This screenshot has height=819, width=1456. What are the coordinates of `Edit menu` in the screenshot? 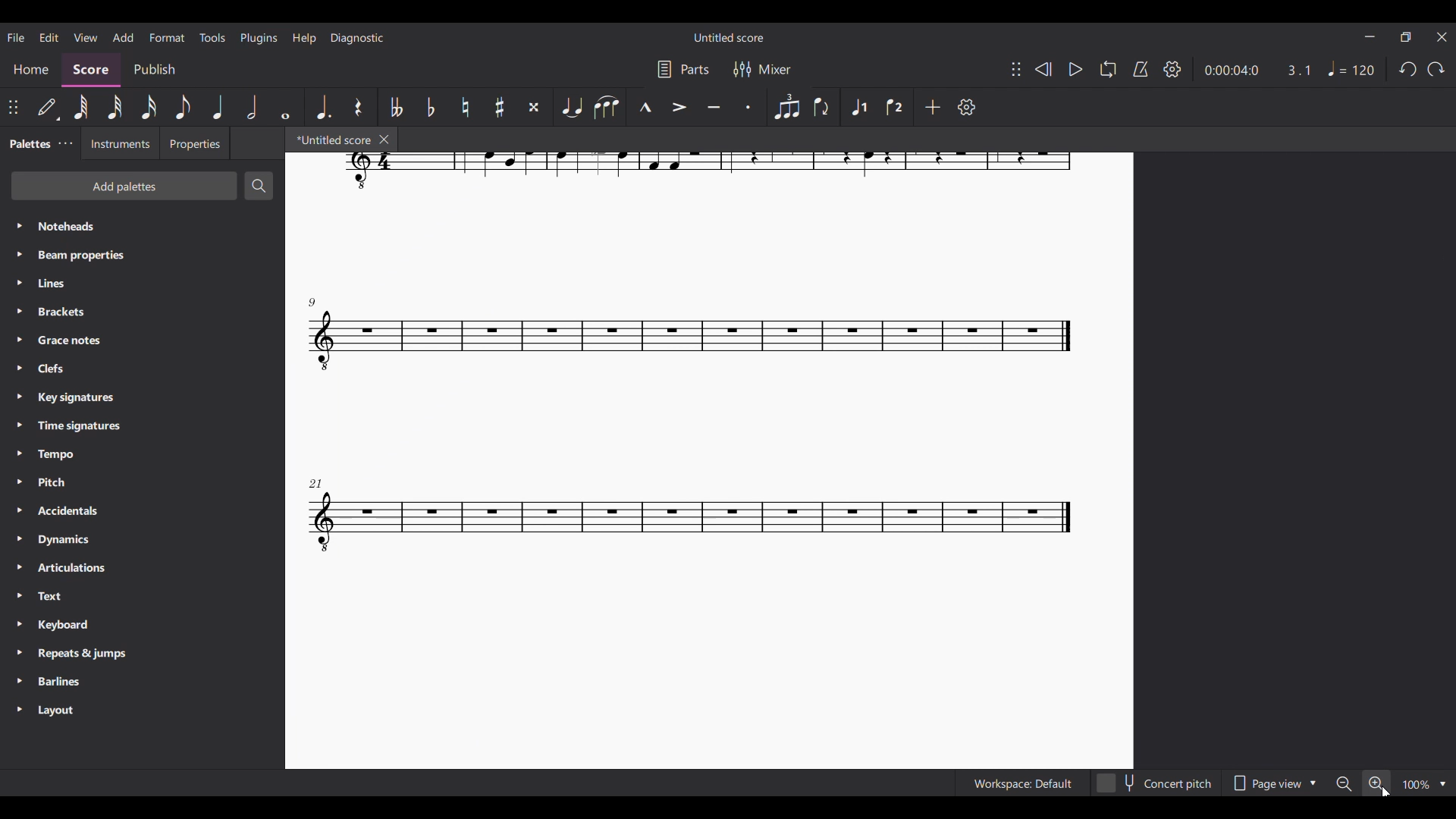 It's located at (49, 38).